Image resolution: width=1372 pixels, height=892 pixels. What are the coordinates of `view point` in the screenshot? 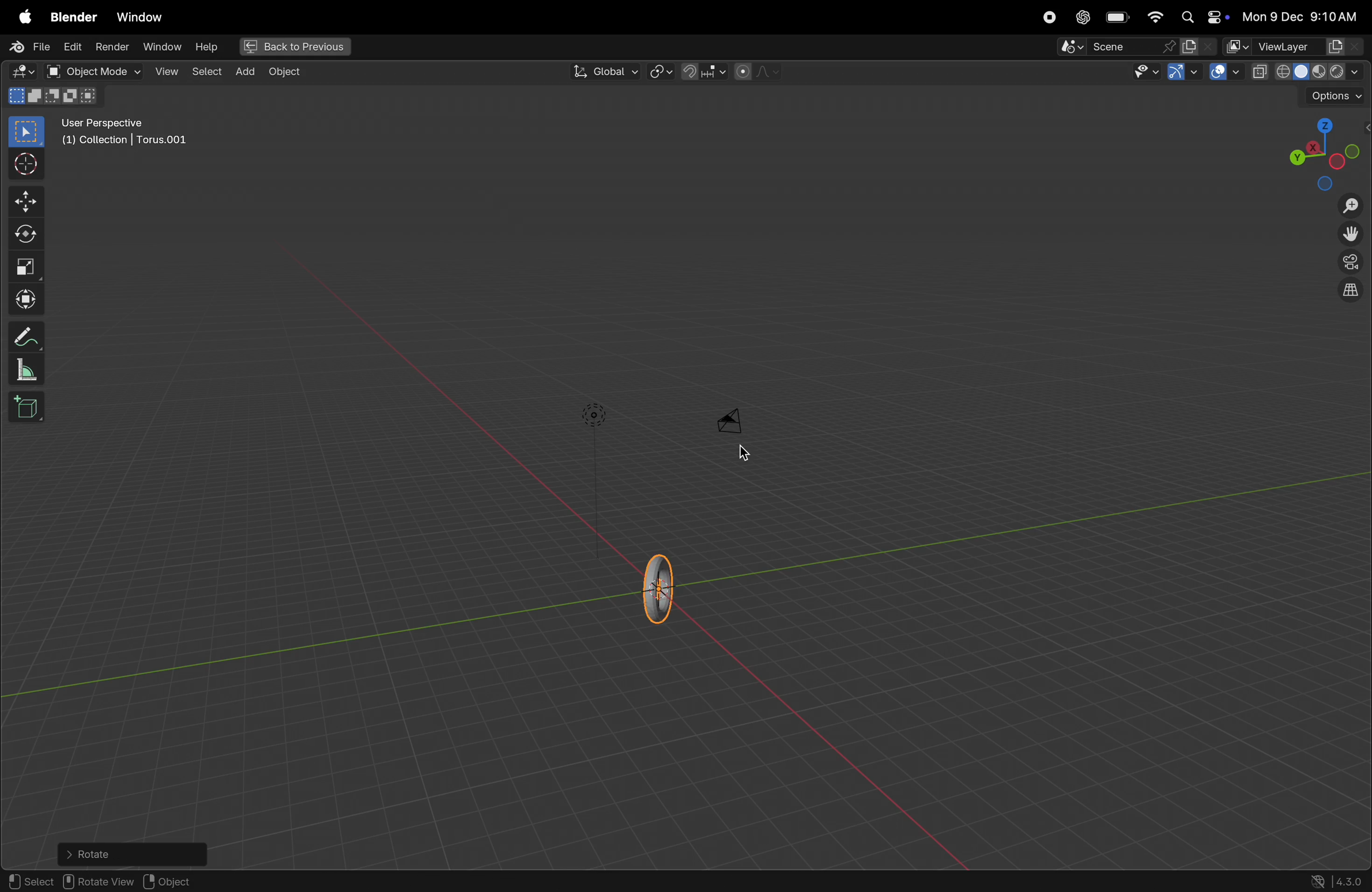 It's located at (1321, 151).